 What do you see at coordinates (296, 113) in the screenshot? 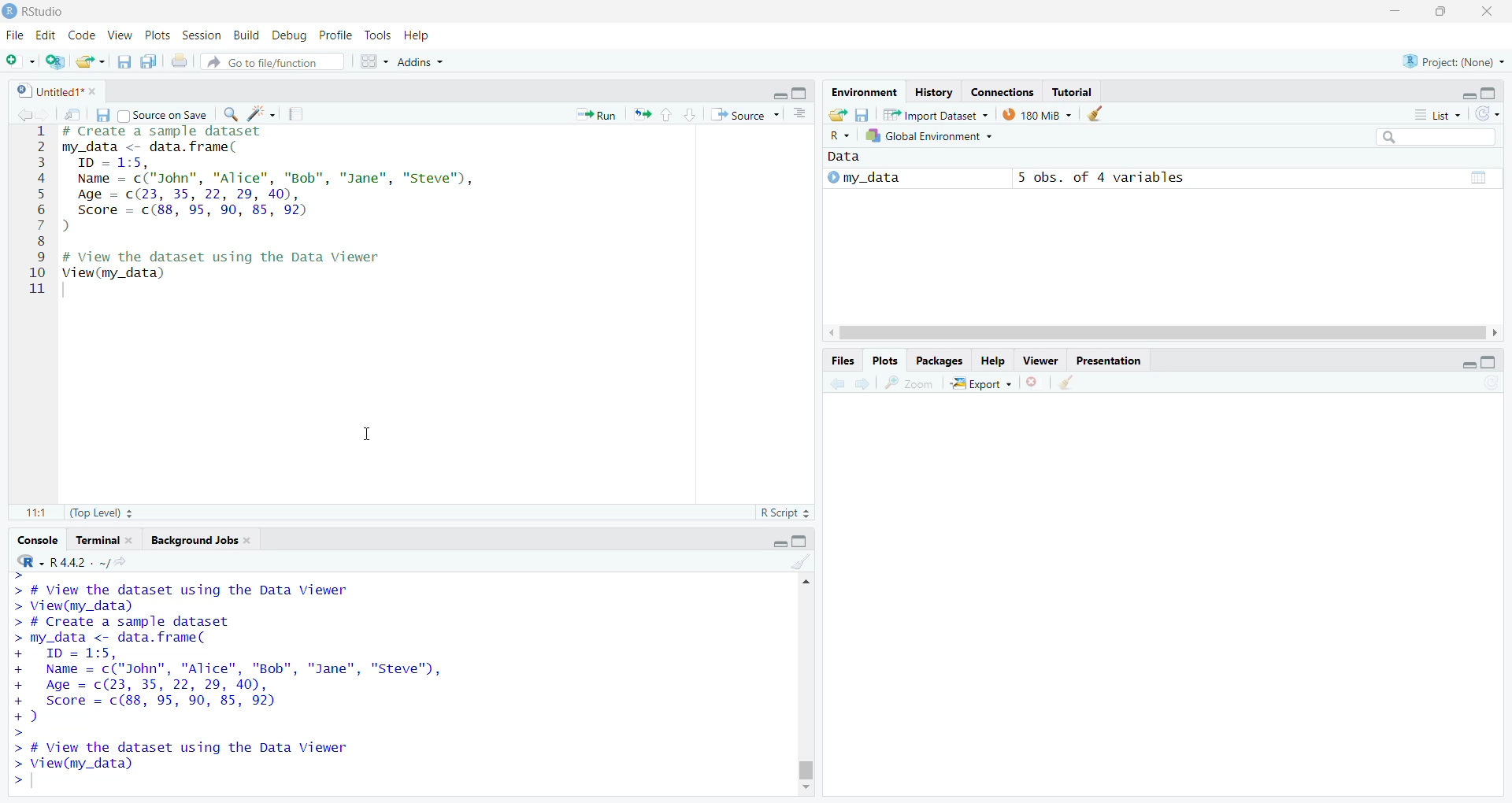
I see `Pages` at bounding box center [296, 113].